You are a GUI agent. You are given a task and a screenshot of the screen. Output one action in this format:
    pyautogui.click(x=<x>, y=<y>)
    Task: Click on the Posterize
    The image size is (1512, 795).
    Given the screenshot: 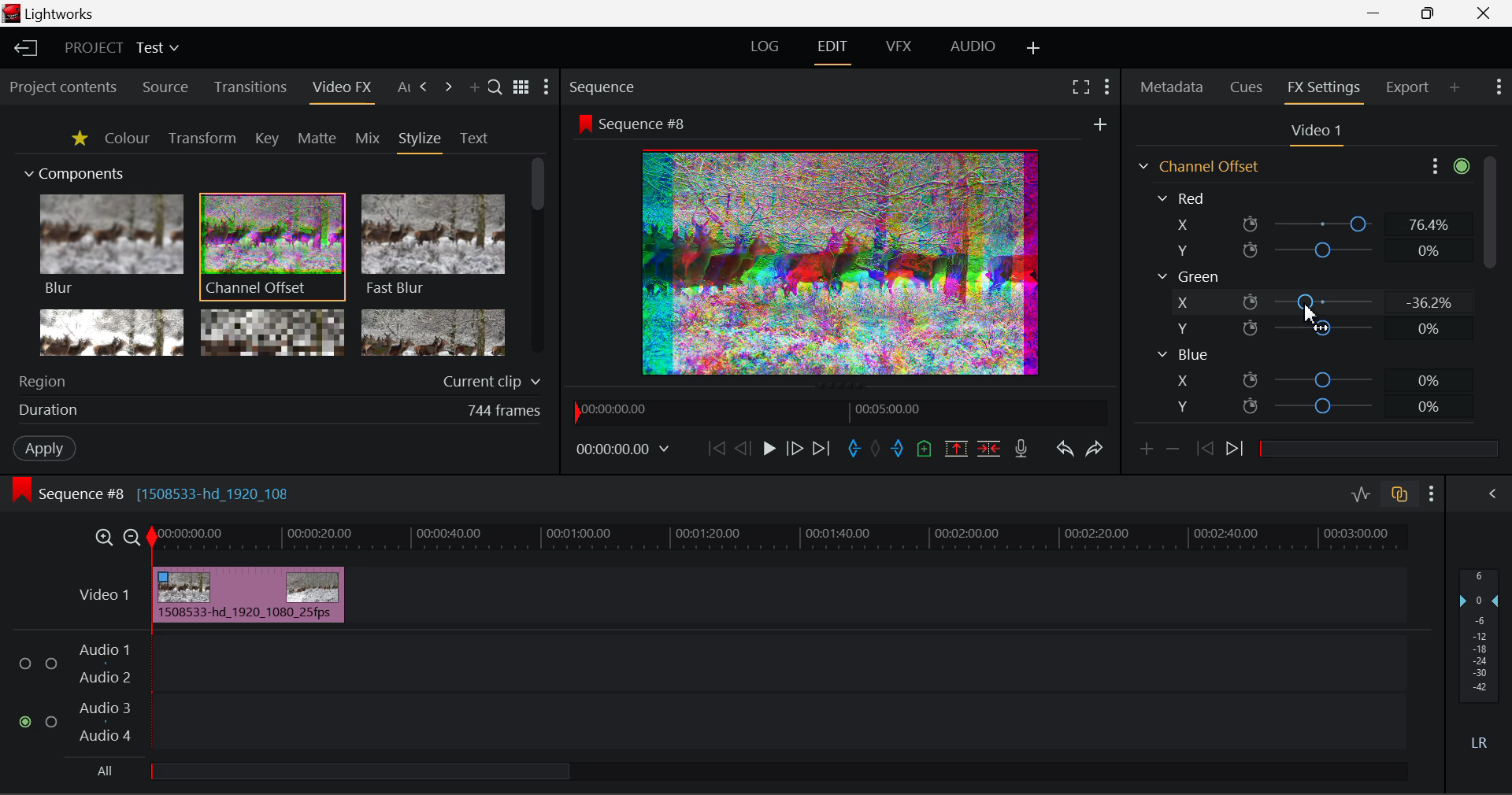 What is the action you would take?
    pyautogui.click(x=433, y=331)
    